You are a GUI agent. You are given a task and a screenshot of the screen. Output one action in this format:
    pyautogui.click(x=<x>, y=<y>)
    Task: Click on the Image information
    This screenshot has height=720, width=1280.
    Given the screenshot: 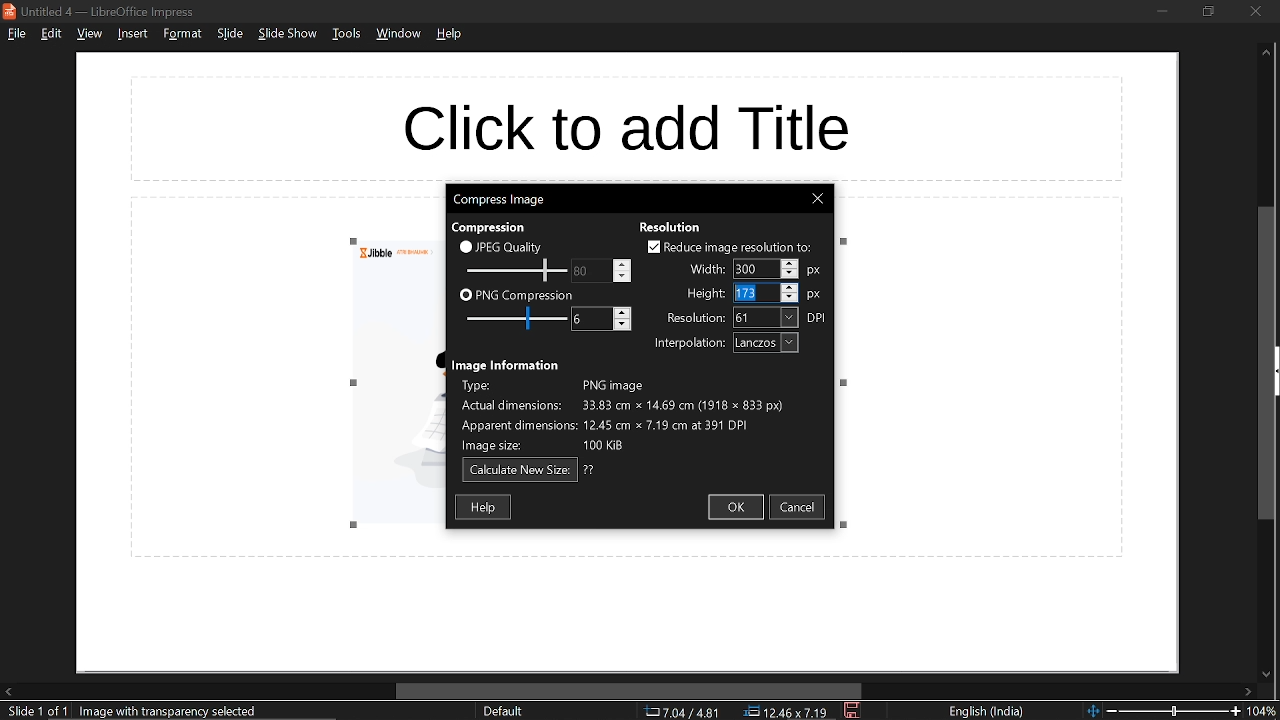 What is the action you would take?
    pyautogui.click(x=641, y=414)
    